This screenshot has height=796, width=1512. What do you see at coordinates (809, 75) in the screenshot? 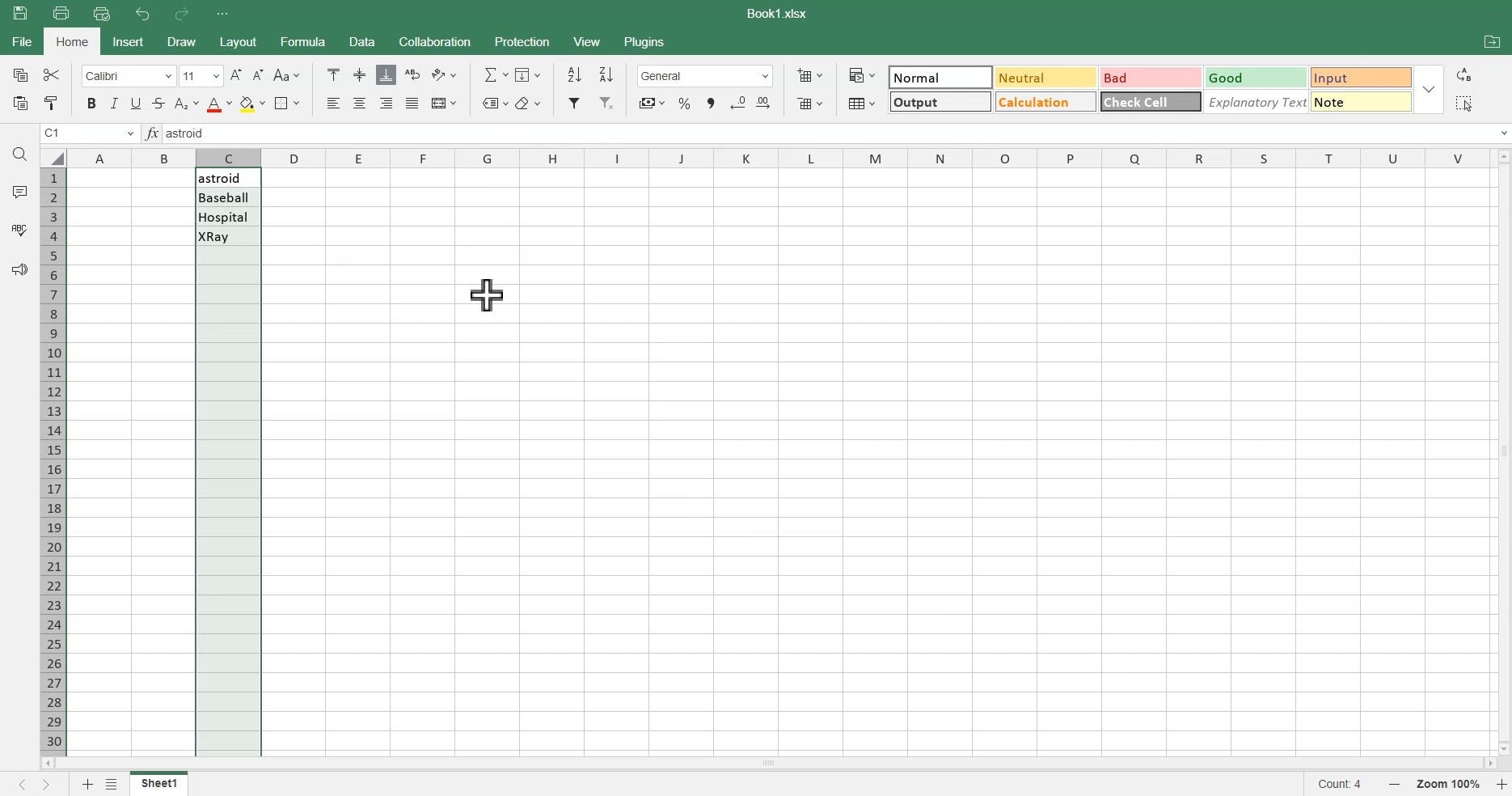
I see `Insert Cell` at bounding box center [809, 75].